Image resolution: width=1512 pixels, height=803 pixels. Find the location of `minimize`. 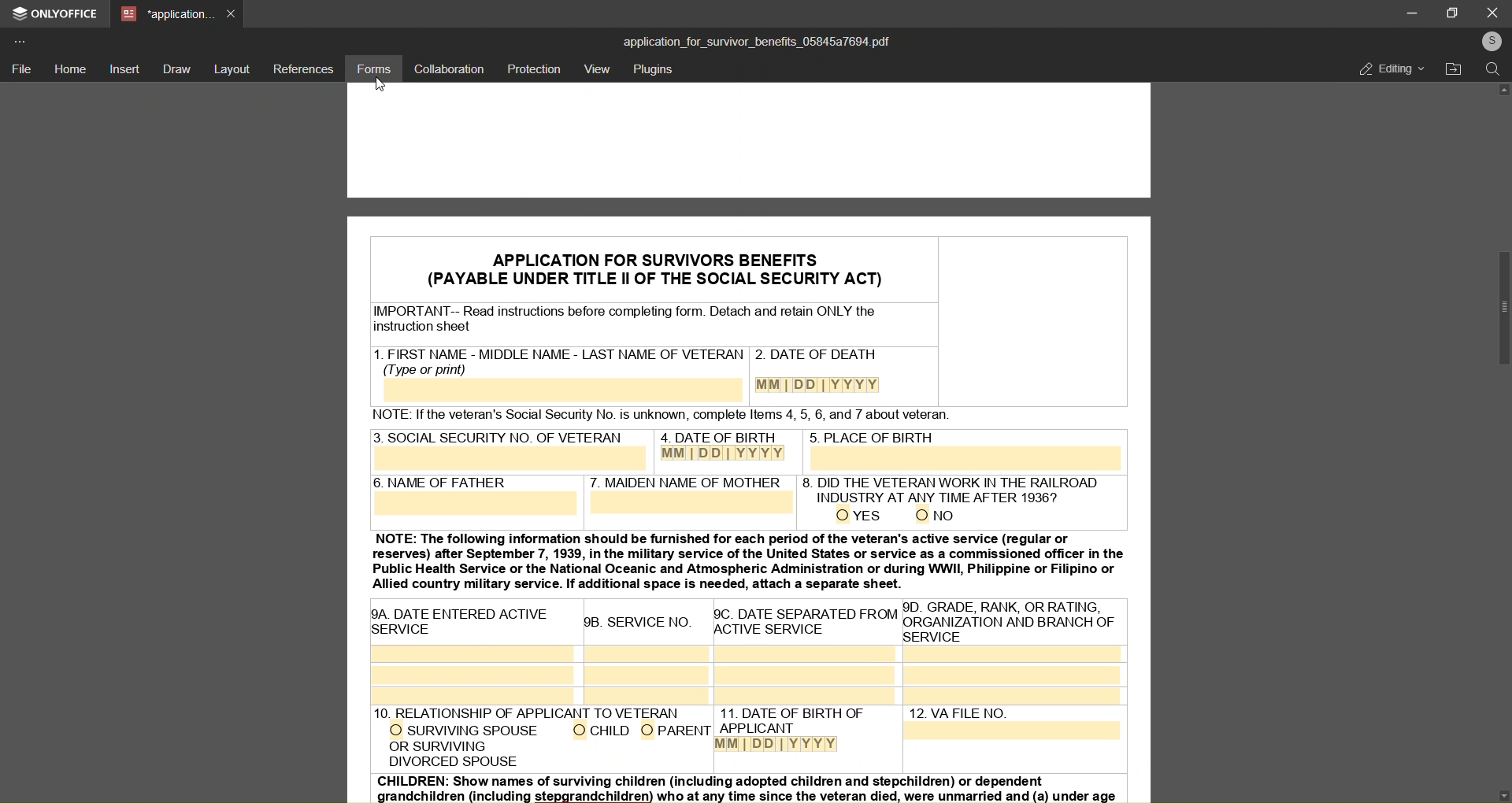

minimize is located at coordinates (1407, 13).